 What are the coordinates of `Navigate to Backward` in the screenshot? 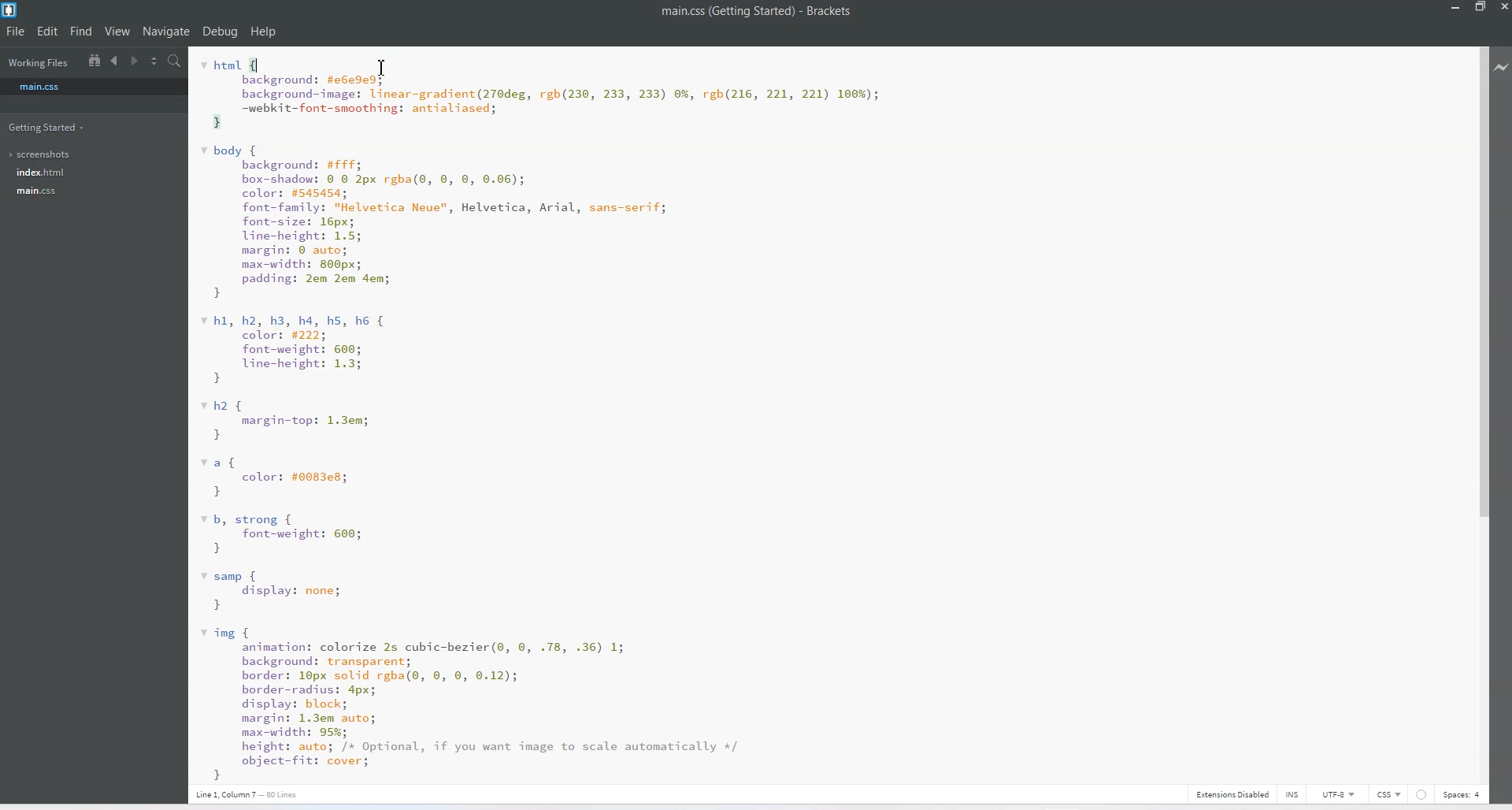 It's located at (116, 61).